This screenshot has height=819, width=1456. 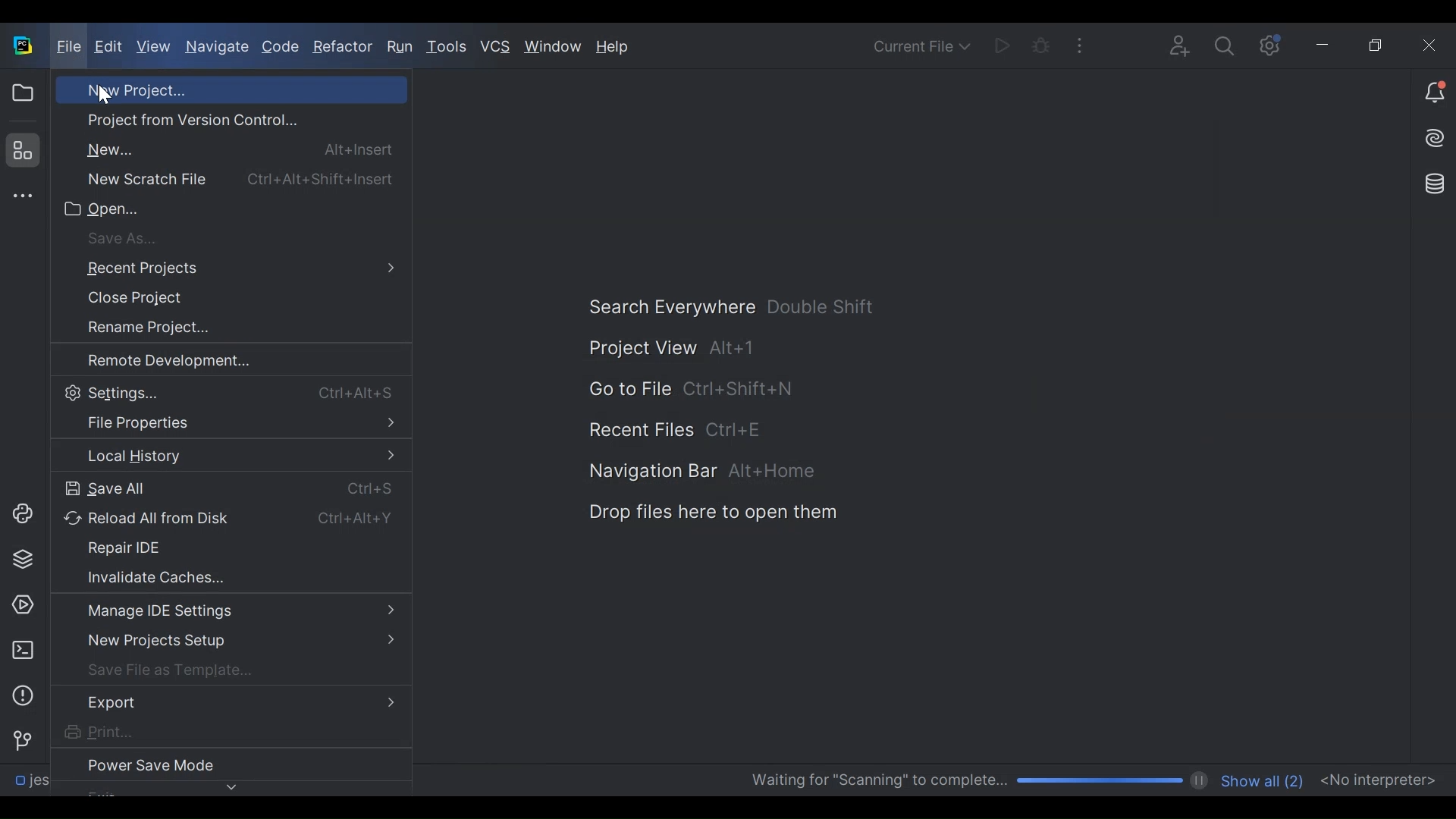 What do you see at coordinates (228, 177) in the screenshot?
I see `New Scratch File` at bounding box center [228, 177].